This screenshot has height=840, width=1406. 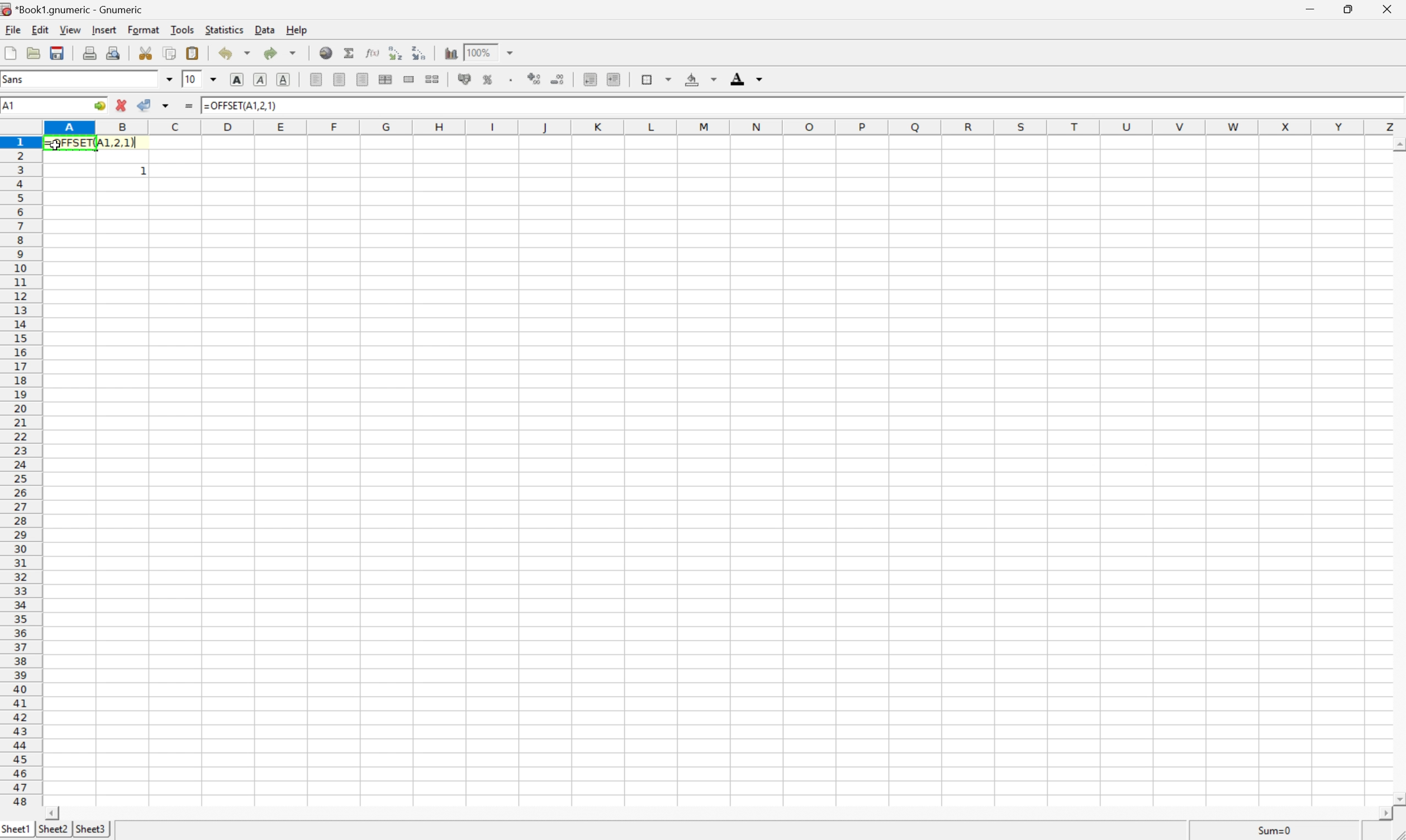 What do you see at coordinates (559, 79) in the screenshot?
I see `decrease number of decimals displayed` at bounding box center [559, 79].